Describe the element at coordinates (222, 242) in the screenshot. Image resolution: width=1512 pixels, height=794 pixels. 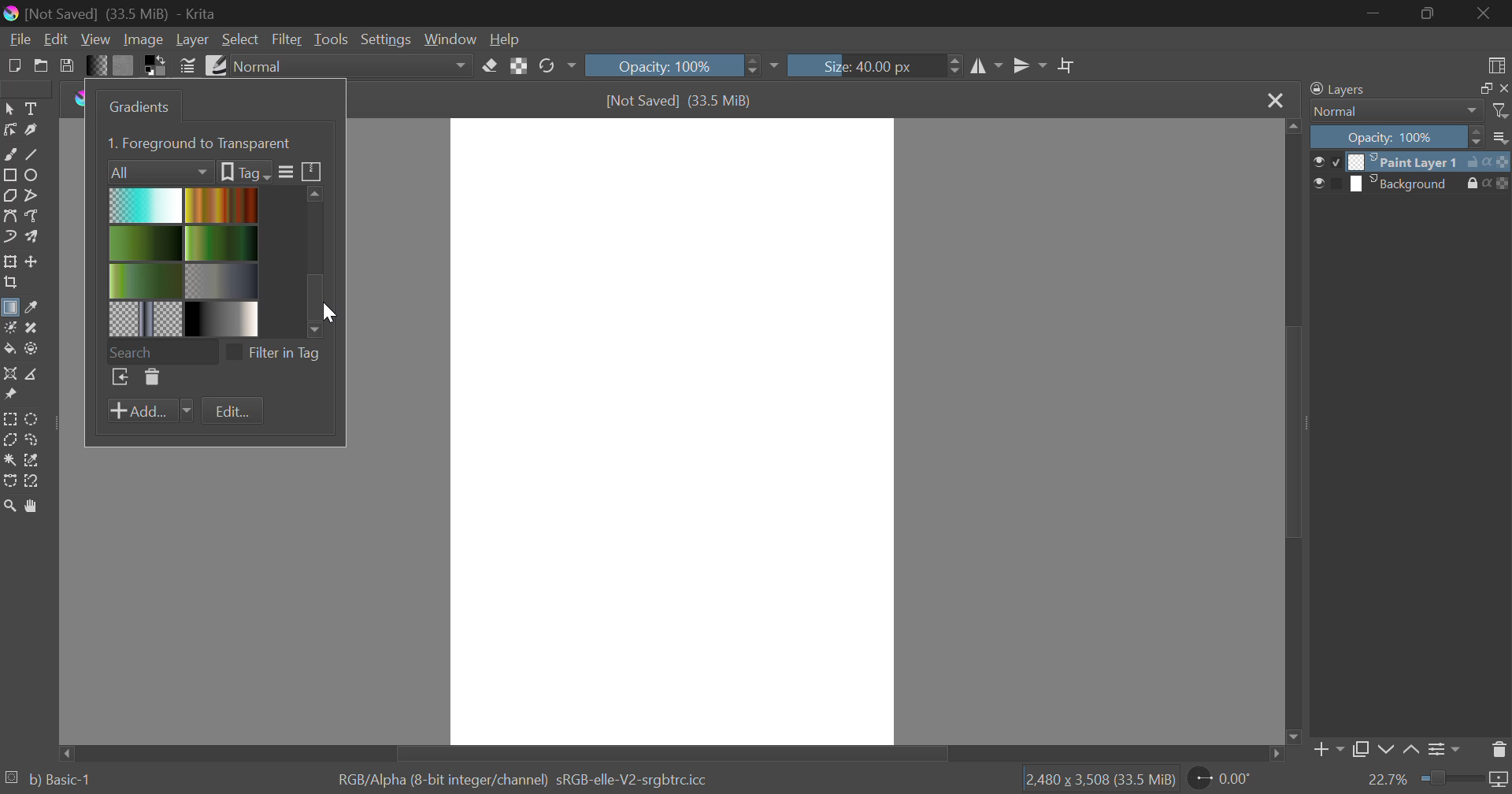
I see `Gradient 4` at that location.